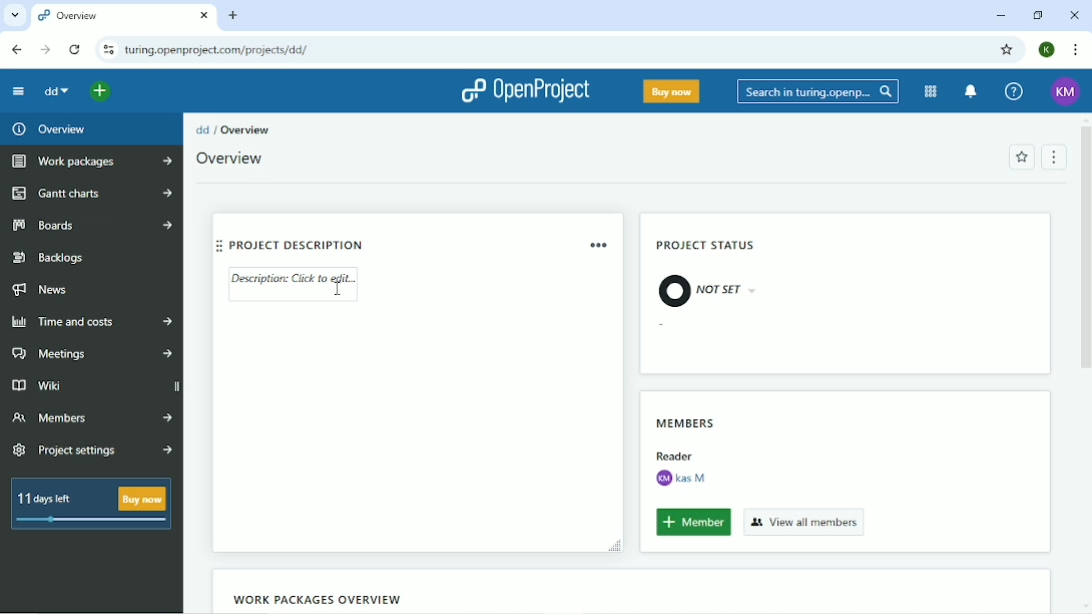 This screenshot has height=614, width=1092. What do you see at coordinates (707, 289) in the screenshot?
I see `not set` at bounding box center [707, 289].